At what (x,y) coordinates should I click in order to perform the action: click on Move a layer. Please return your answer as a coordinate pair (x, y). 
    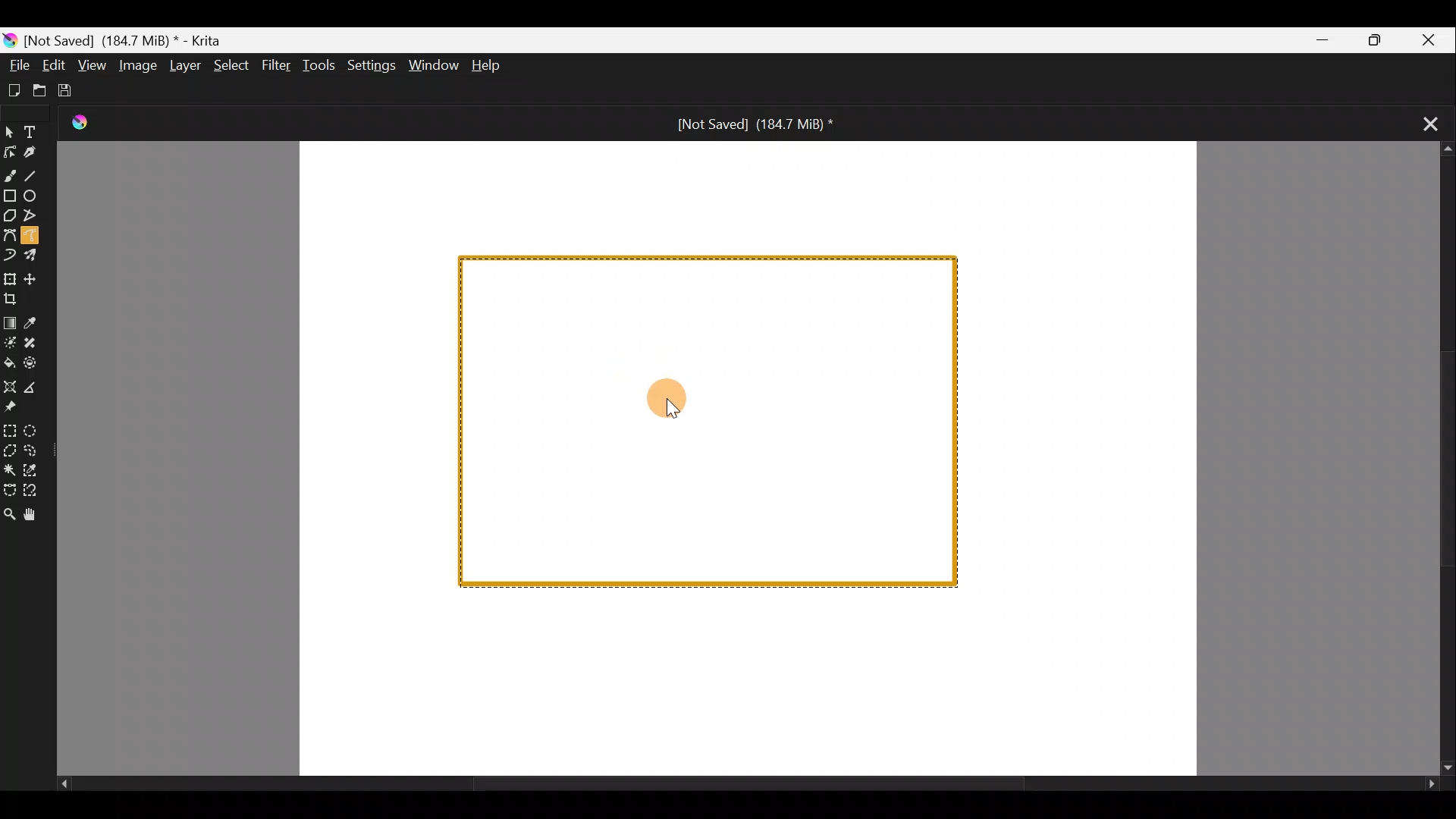
    Looking at the image, I should click on (33, 281).